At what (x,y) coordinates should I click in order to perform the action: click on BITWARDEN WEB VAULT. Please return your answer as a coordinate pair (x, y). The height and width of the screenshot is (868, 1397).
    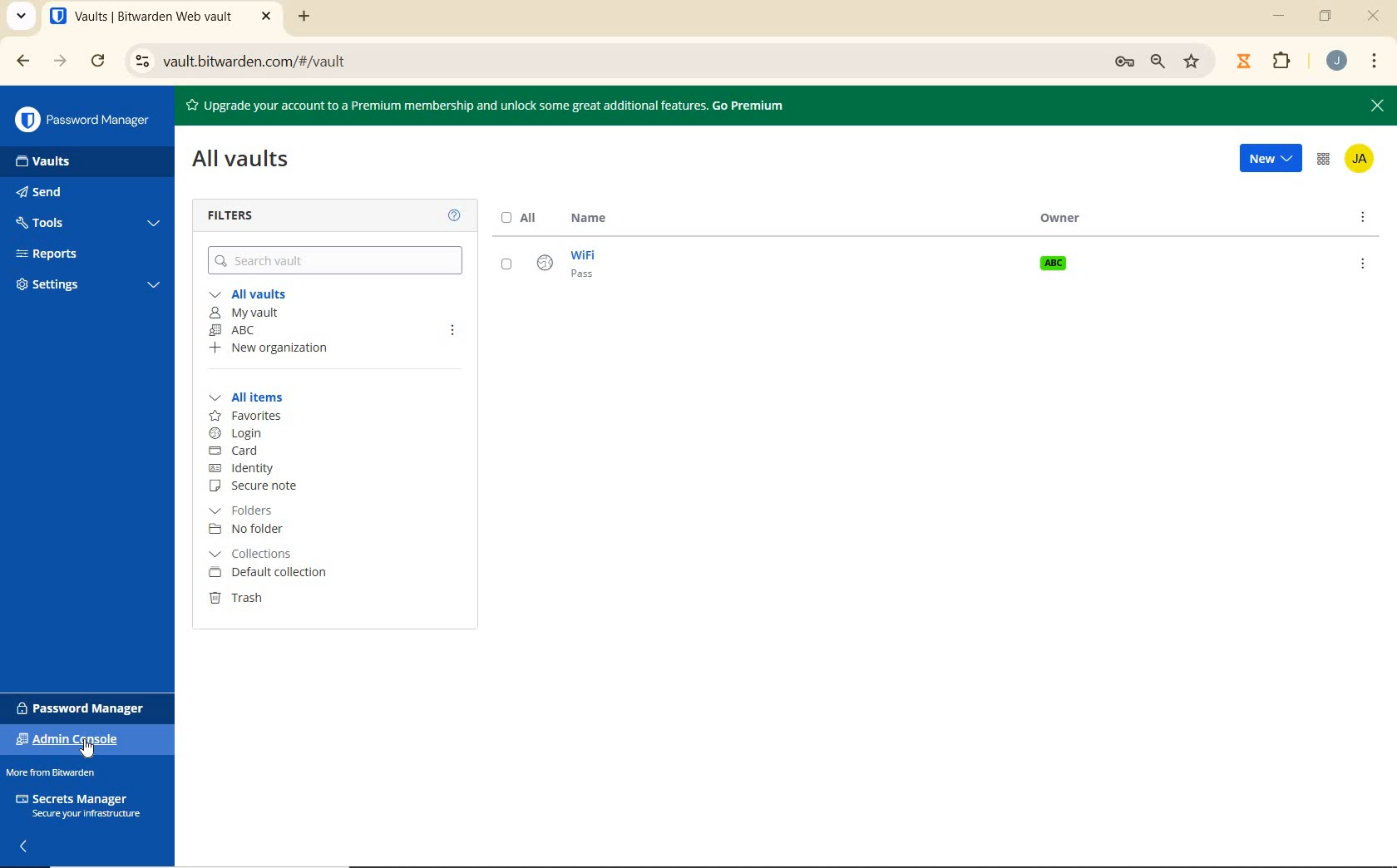
    Looking at the image, I should click on (163, 18).